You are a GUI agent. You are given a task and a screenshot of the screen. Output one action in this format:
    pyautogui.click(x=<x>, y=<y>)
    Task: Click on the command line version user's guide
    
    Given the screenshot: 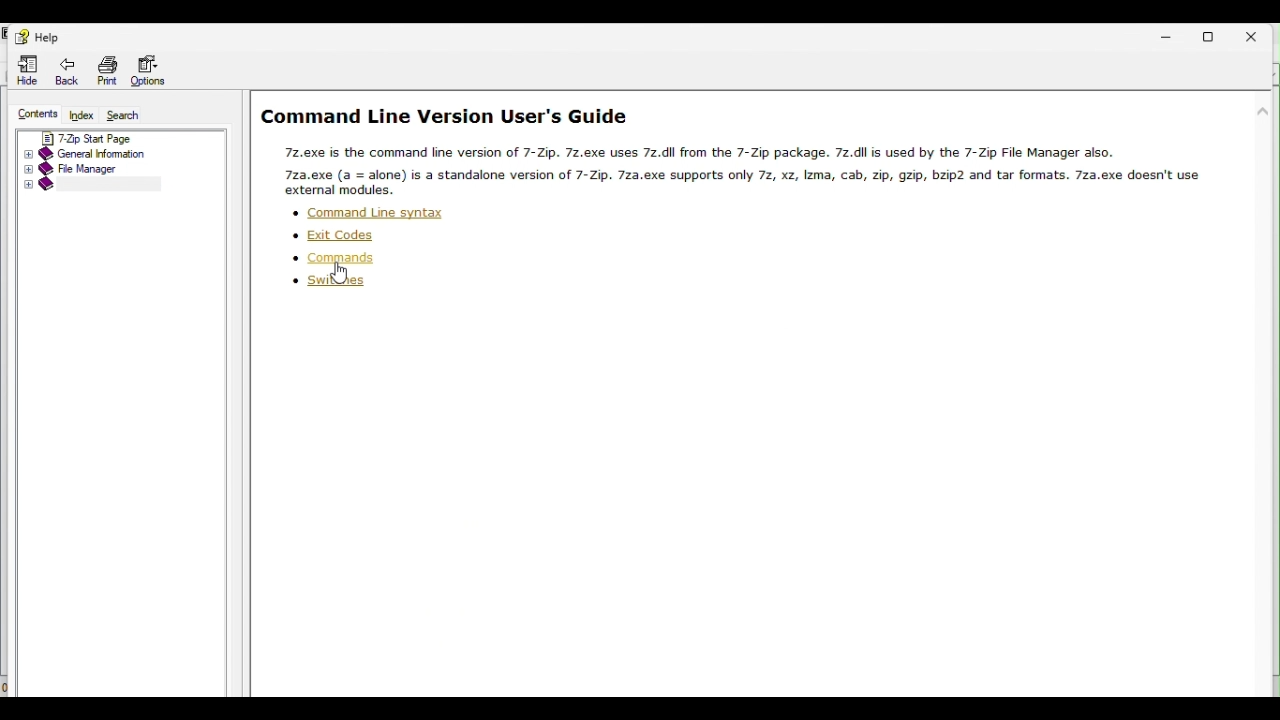 What is the action you would take?
    pyautogui.click(x=445, y=117)
    